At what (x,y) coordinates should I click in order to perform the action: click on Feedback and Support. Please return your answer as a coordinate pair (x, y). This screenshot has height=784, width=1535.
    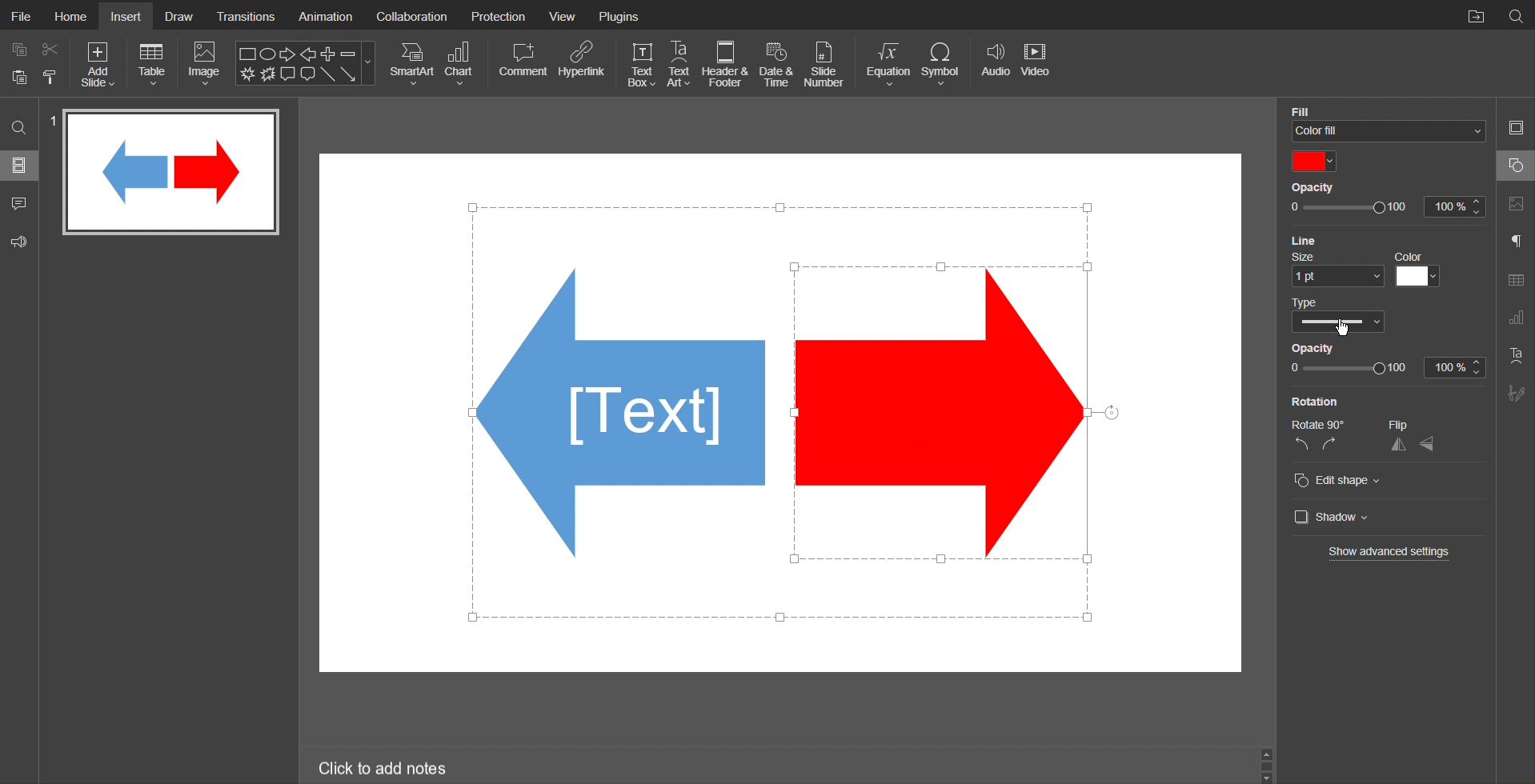
    Looking at the image, I should click on (20, 239).